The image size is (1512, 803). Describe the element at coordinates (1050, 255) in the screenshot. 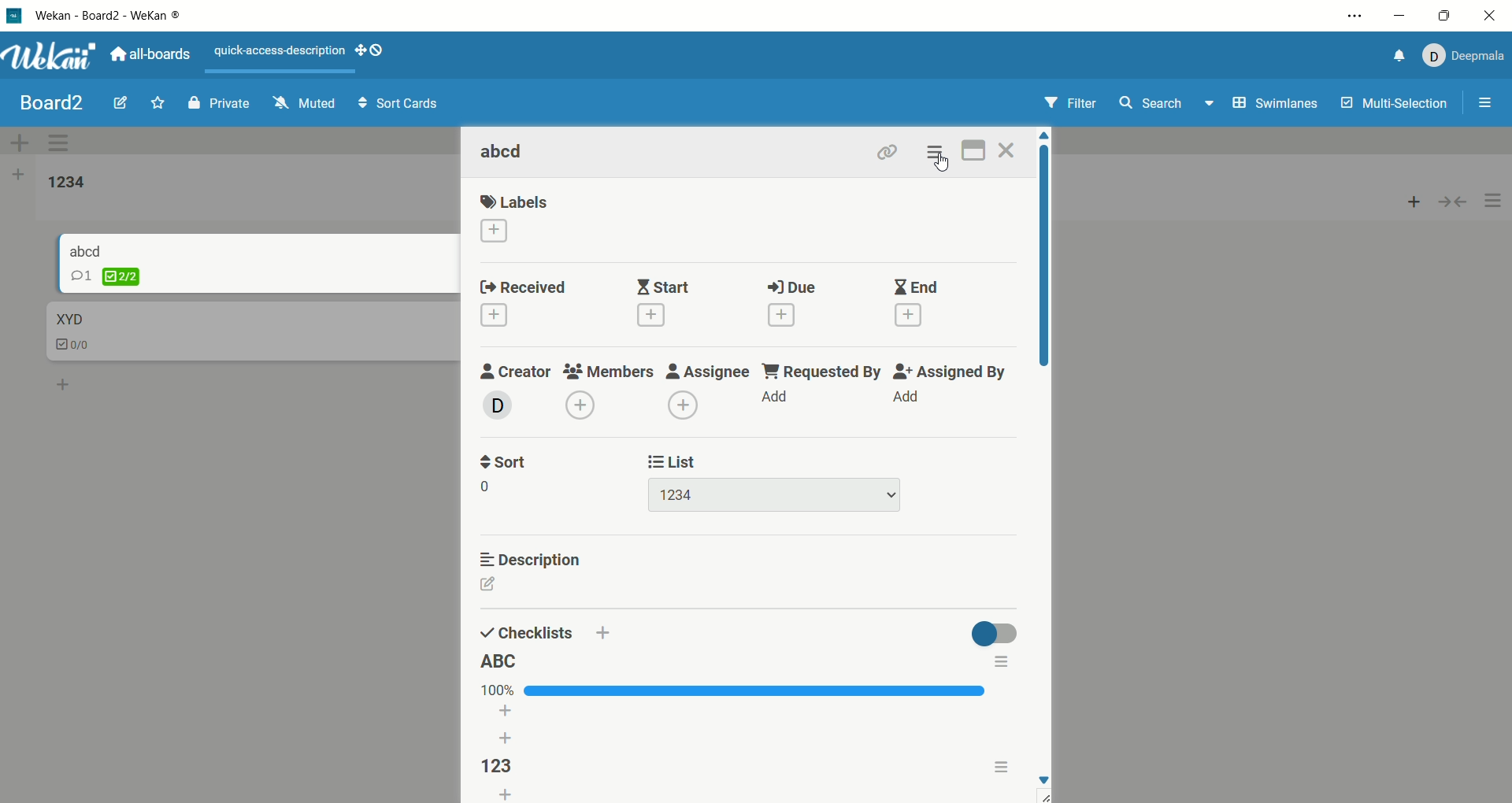

I see `vertical scroll bar` at that location.